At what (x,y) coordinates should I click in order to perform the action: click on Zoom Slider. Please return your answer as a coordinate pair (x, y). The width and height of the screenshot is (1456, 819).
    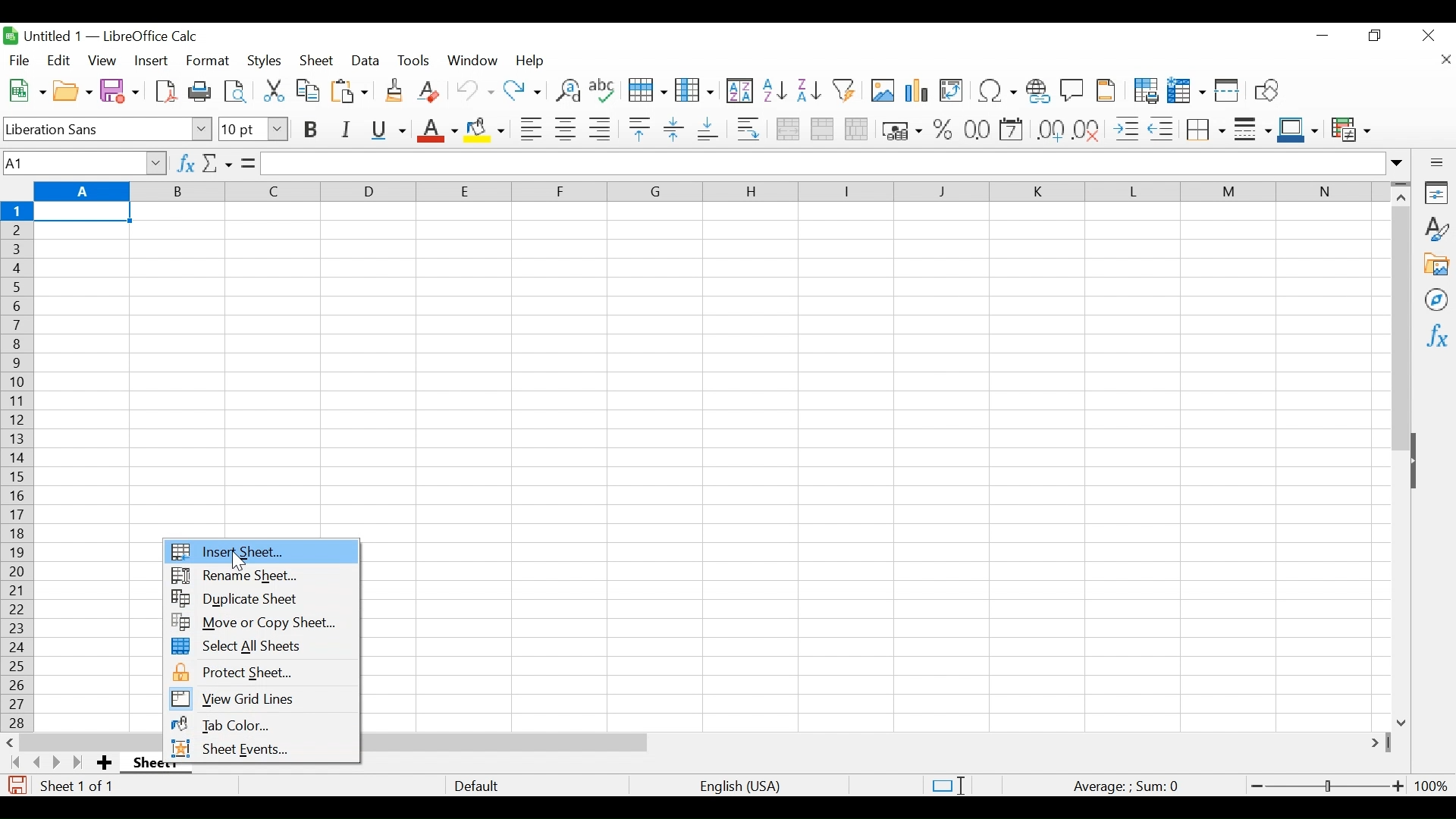
    Looking at the image, I should click on (1325, 783).